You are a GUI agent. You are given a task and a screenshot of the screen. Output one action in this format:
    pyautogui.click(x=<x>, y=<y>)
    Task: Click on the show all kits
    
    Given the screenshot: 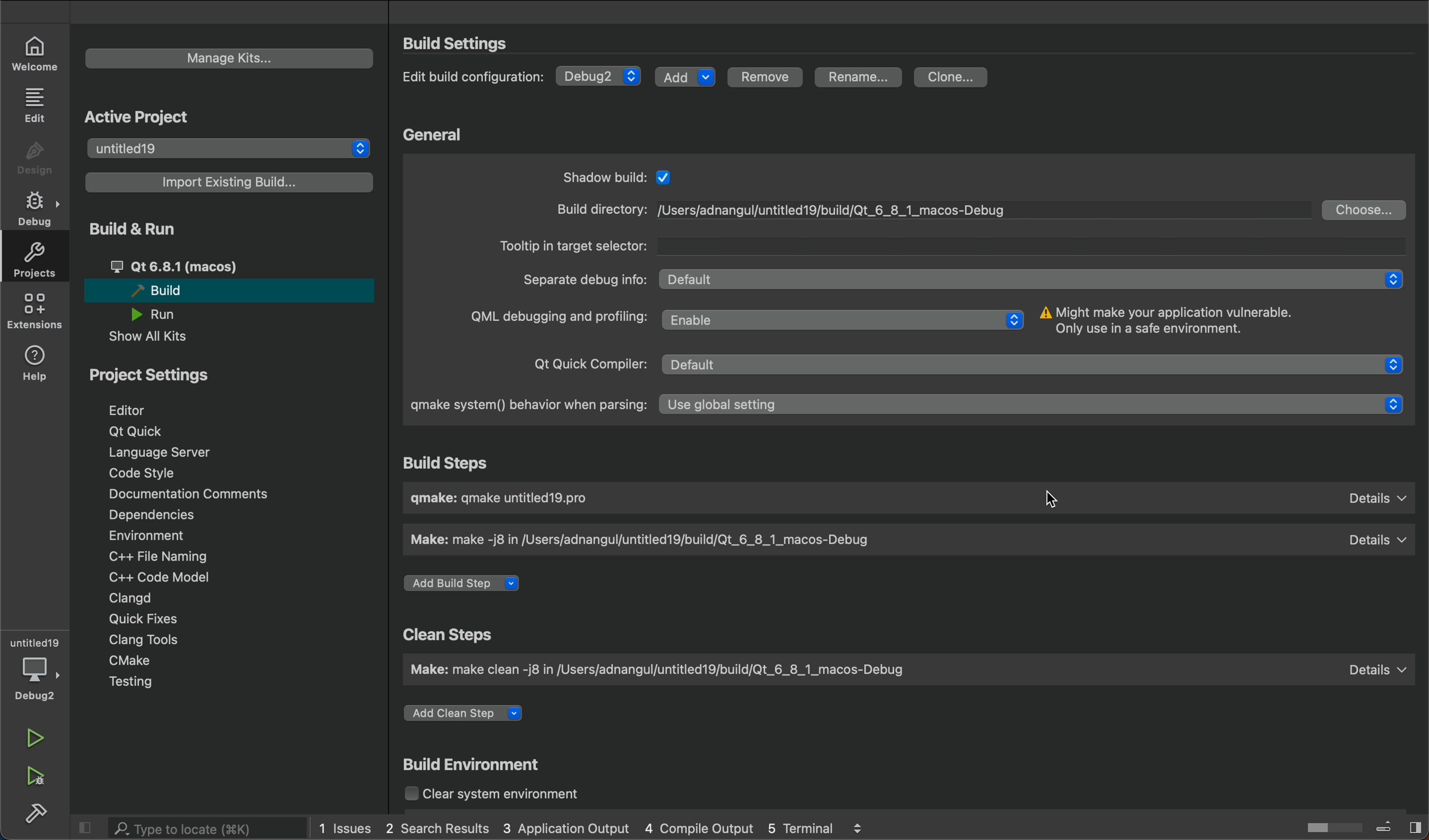 What is the action you would take?
    pyautogui.click(x=162, y=337)
    